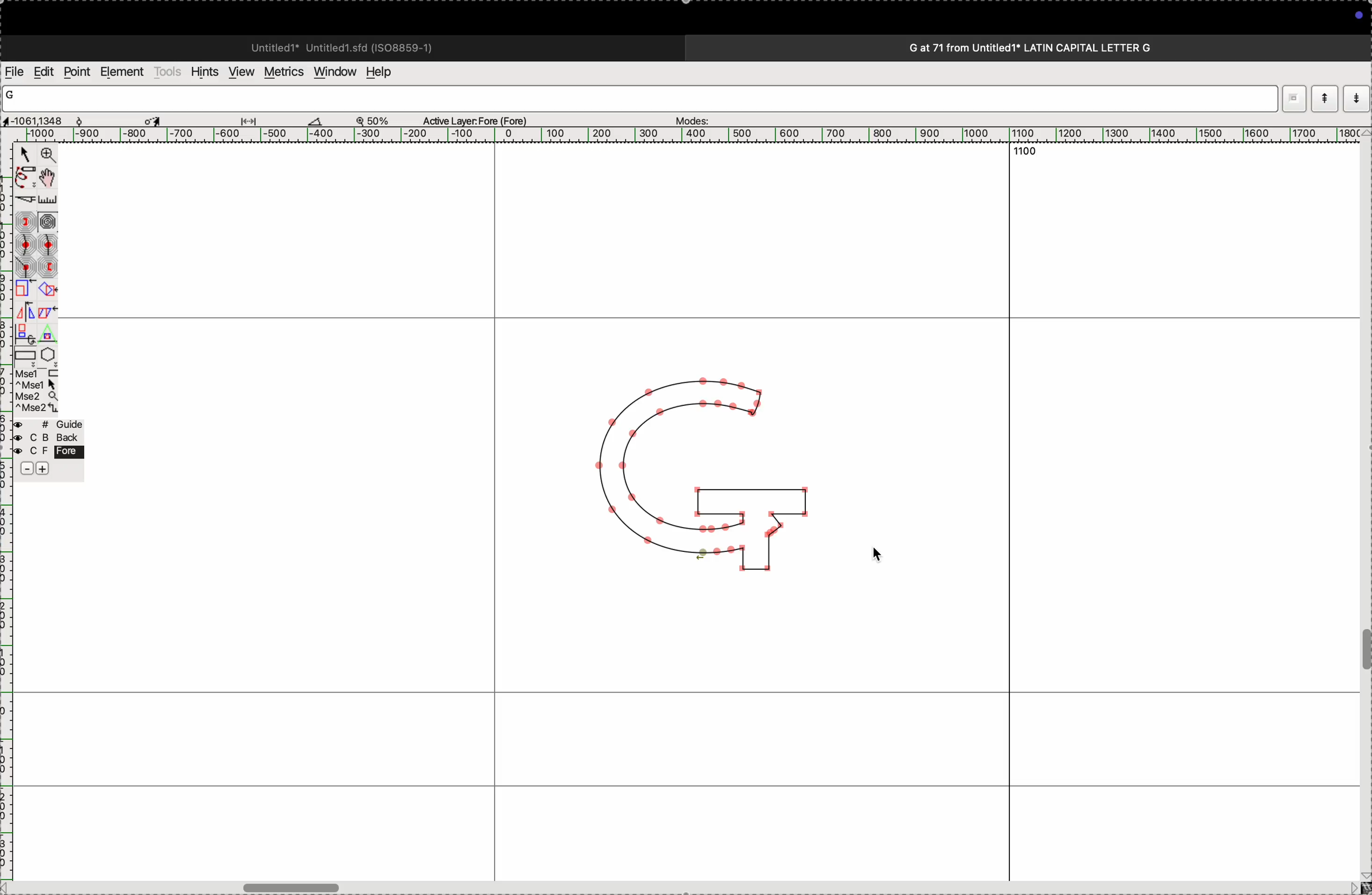 The height and width of the screenshot is (895, 1372). Describe the element at coordinates (169, 74) in the screenshot. I see `tools` at that location.